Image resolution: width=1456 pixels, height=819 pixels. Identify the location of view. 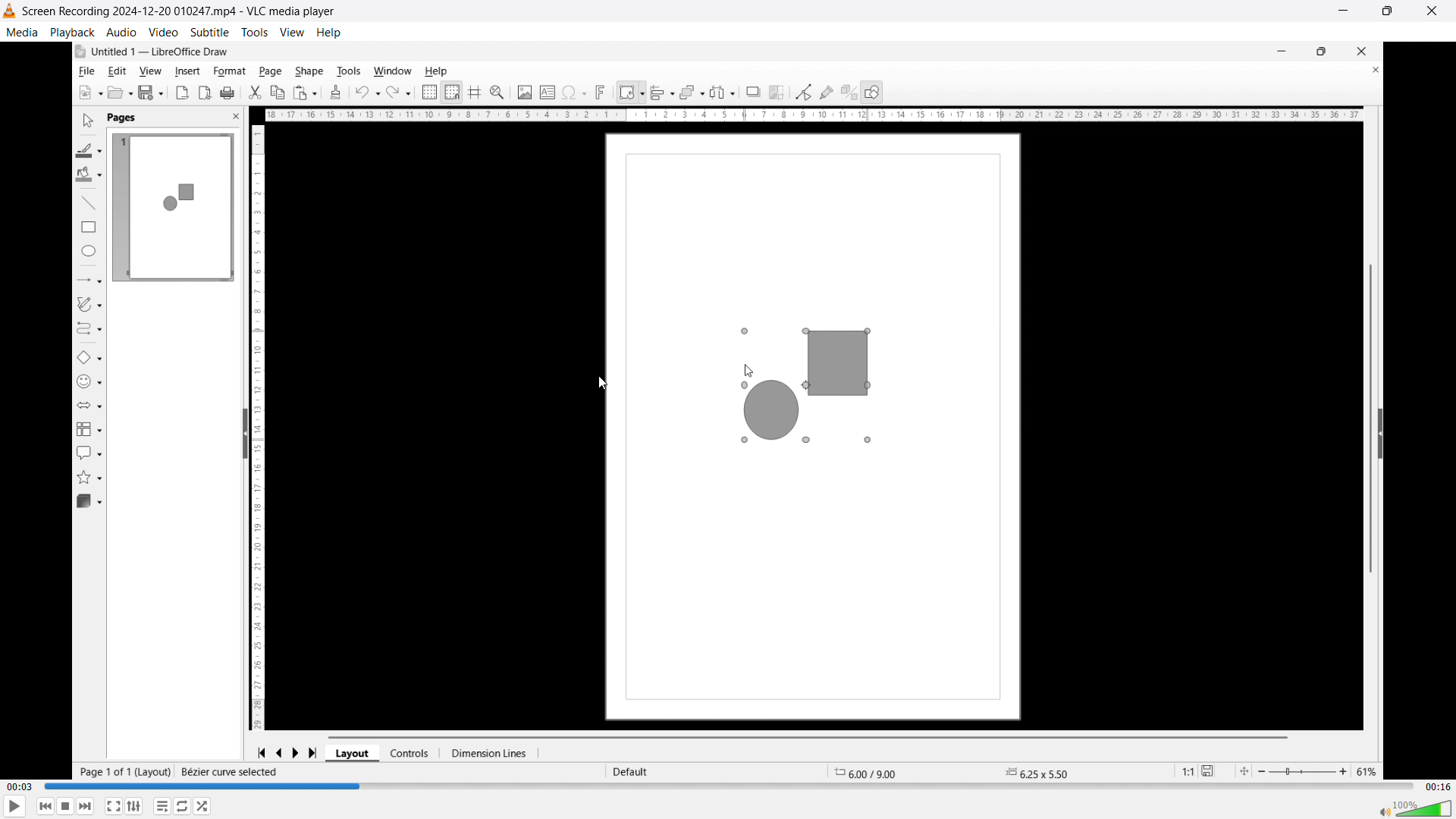
(293, 32).